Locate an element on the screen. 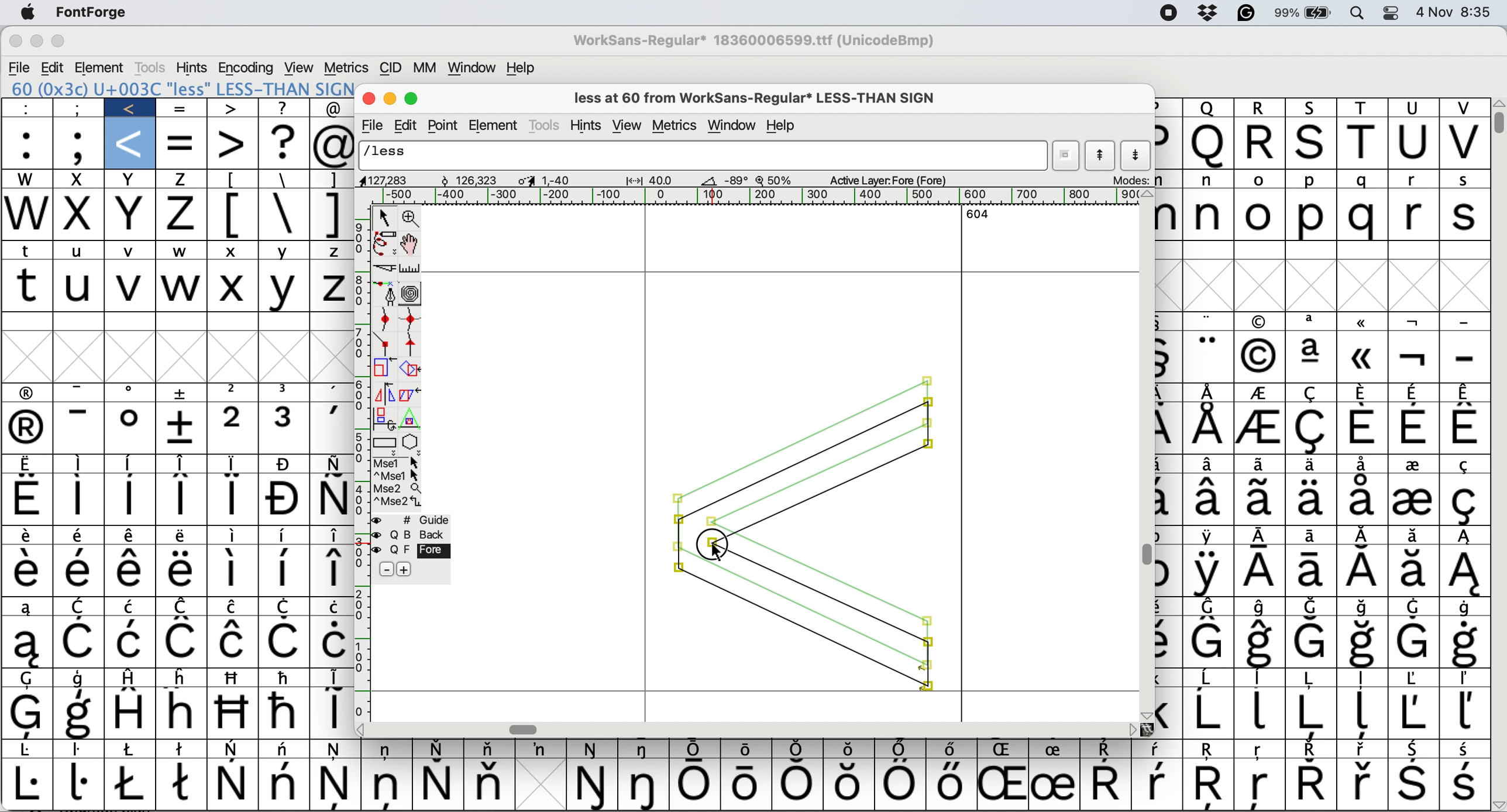 This screenshot has width=1507, height=812. Symbol is located at coordinates (128, 537).